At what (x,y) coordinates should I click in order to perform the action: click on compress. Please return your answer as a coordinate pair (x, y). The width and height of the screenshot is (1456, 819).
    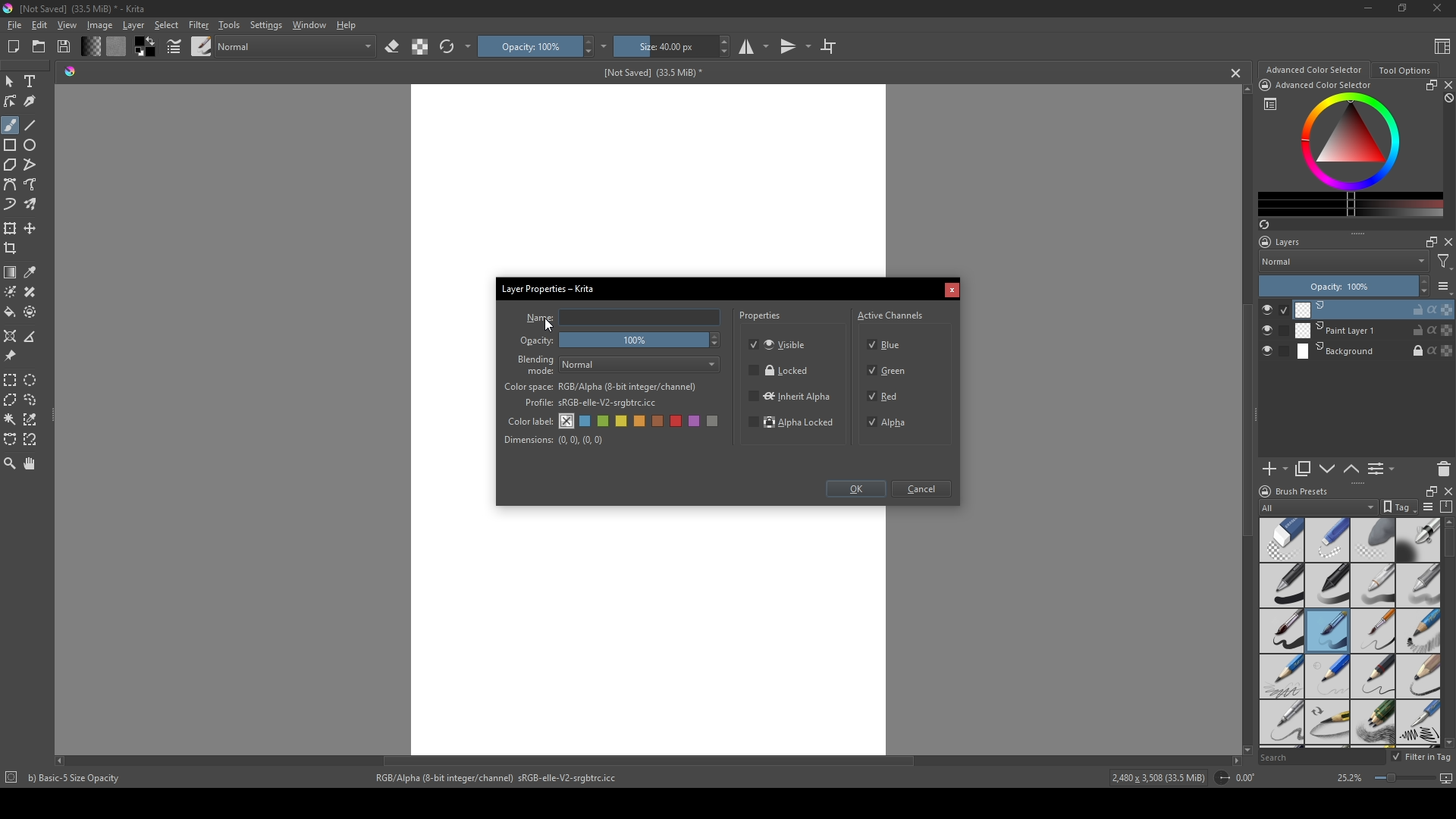
    Looking at the image, I should click on (1447, 507).